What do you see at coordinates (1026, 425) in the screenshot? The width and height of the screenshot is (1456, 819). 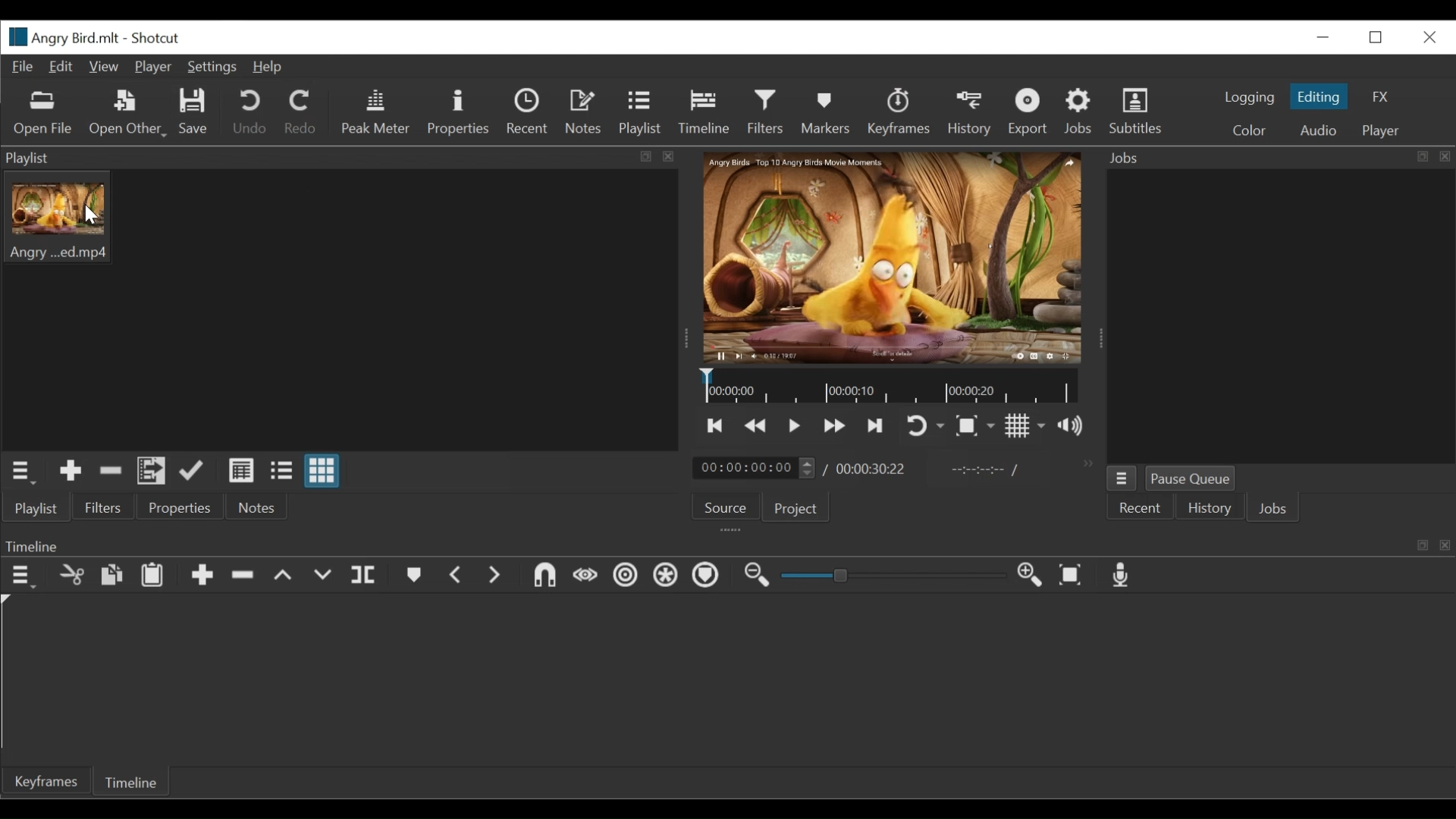 I see `Show display grid on player` at bounding box center [1026, 425].